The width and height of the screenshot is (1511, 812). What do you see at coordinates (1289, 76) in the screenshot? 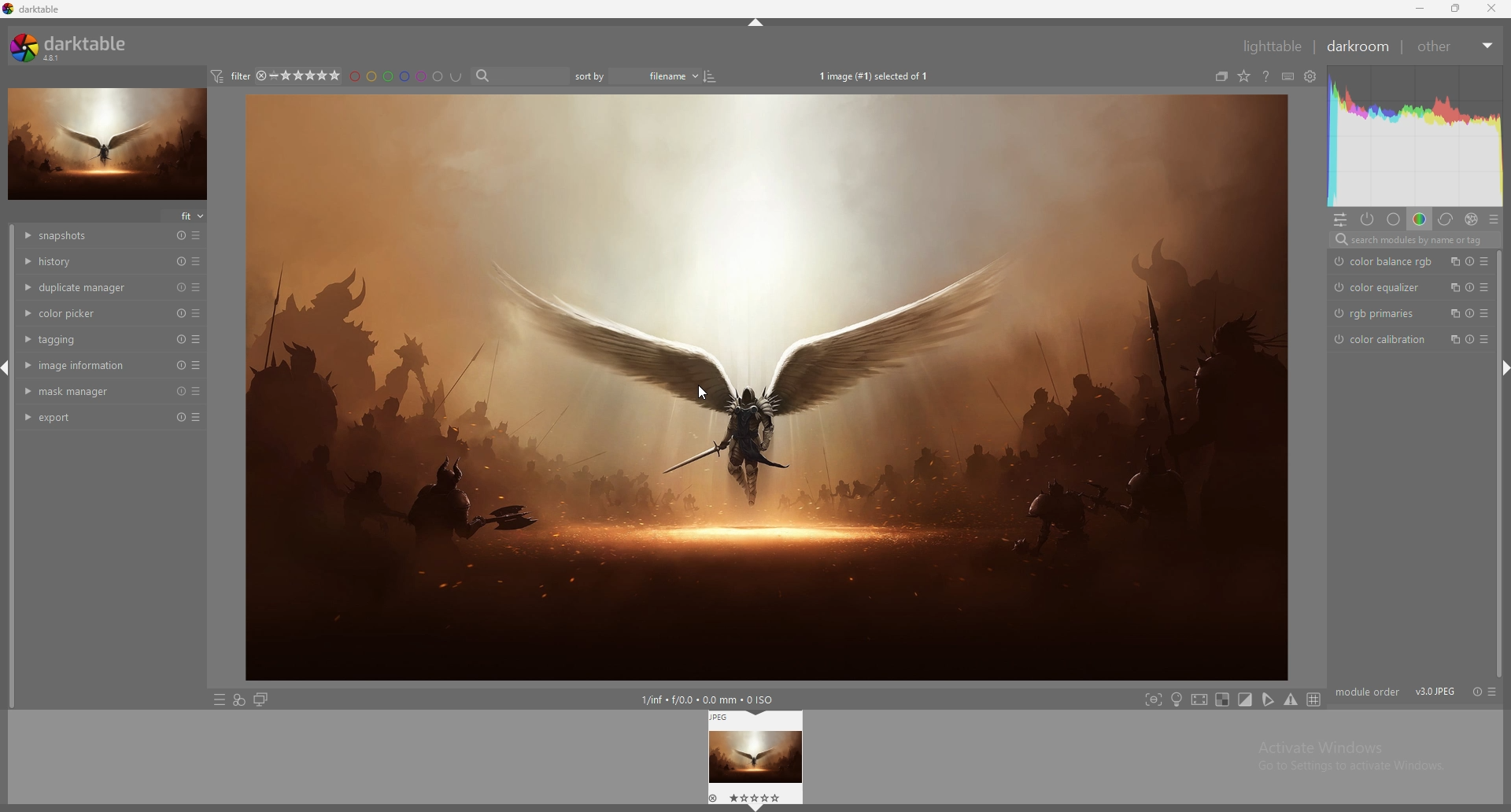
I see `define shortcuts` at bounding box center [1289, 76].